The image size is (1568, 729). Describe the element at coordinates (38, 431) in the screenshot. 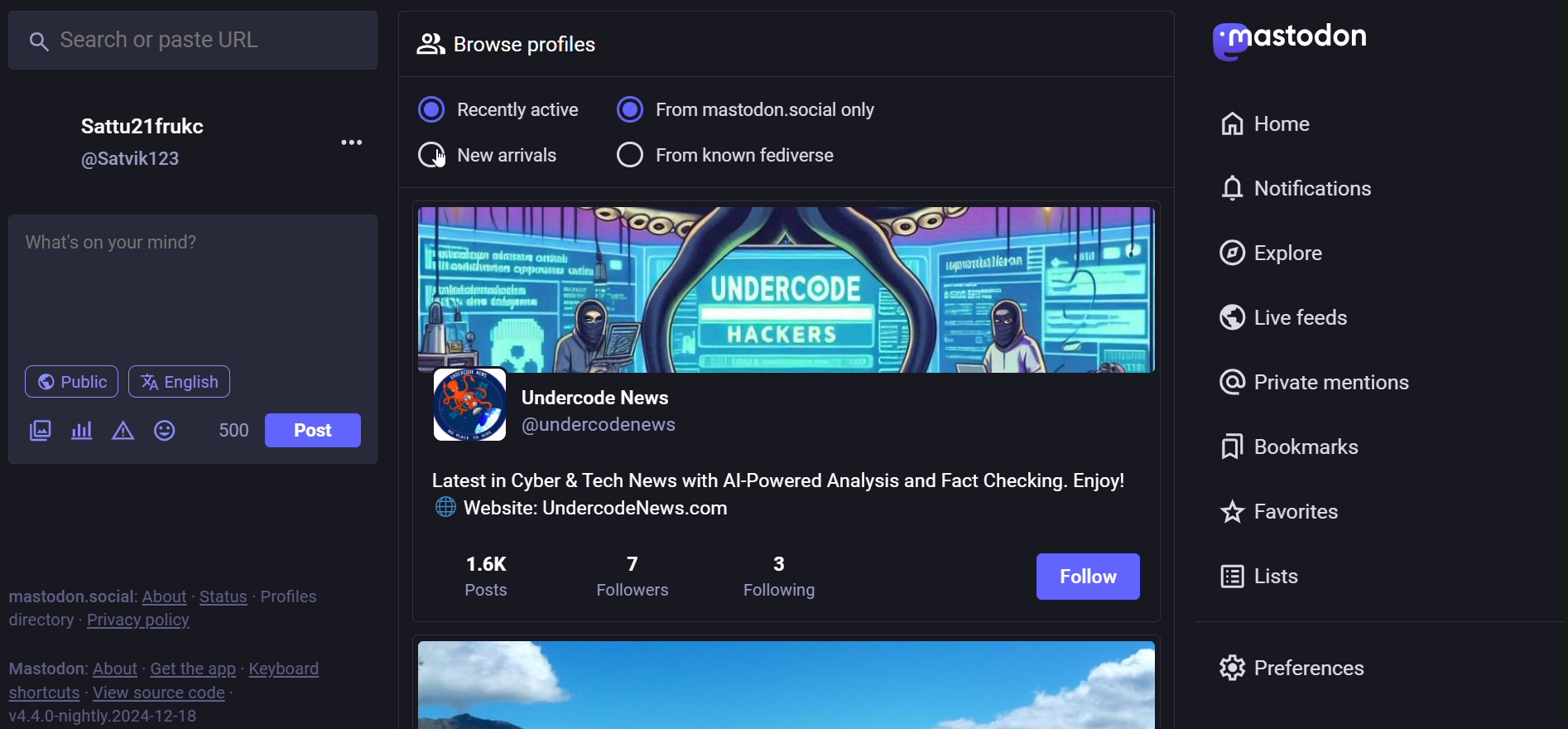

I see `image/video` at that location.